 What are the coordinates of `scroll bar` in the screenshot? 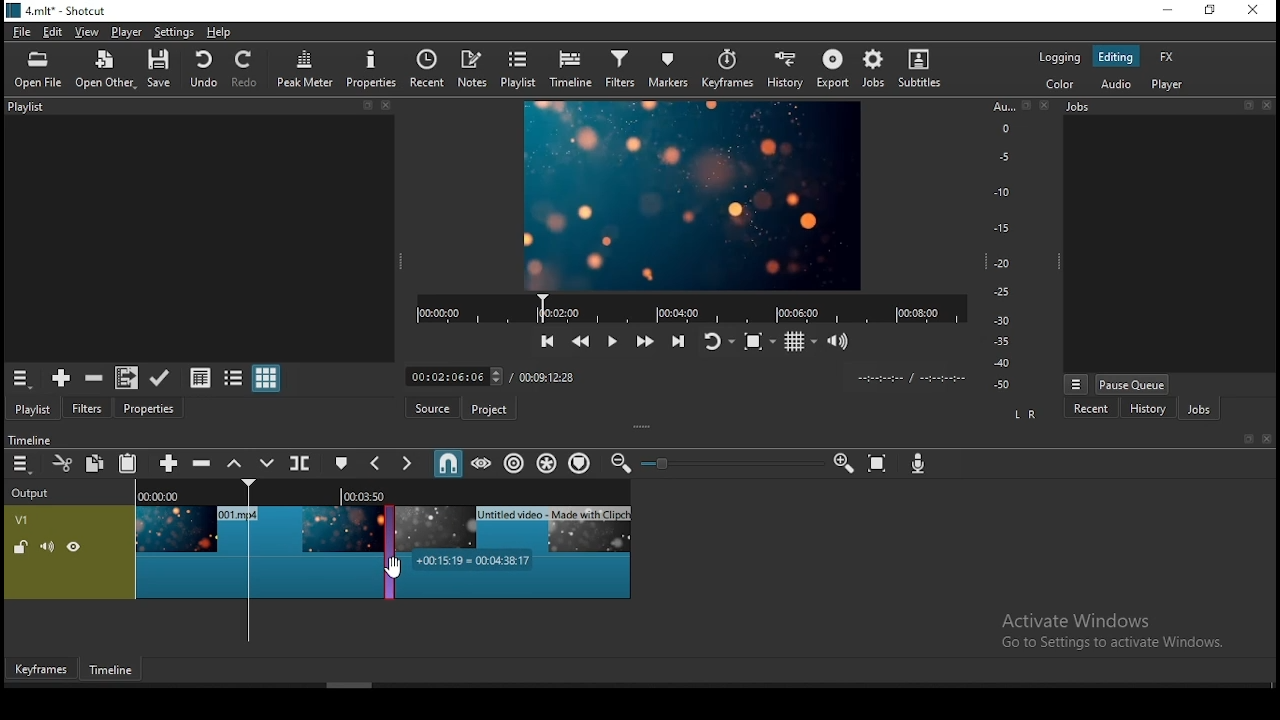 It's located at (351, 684).